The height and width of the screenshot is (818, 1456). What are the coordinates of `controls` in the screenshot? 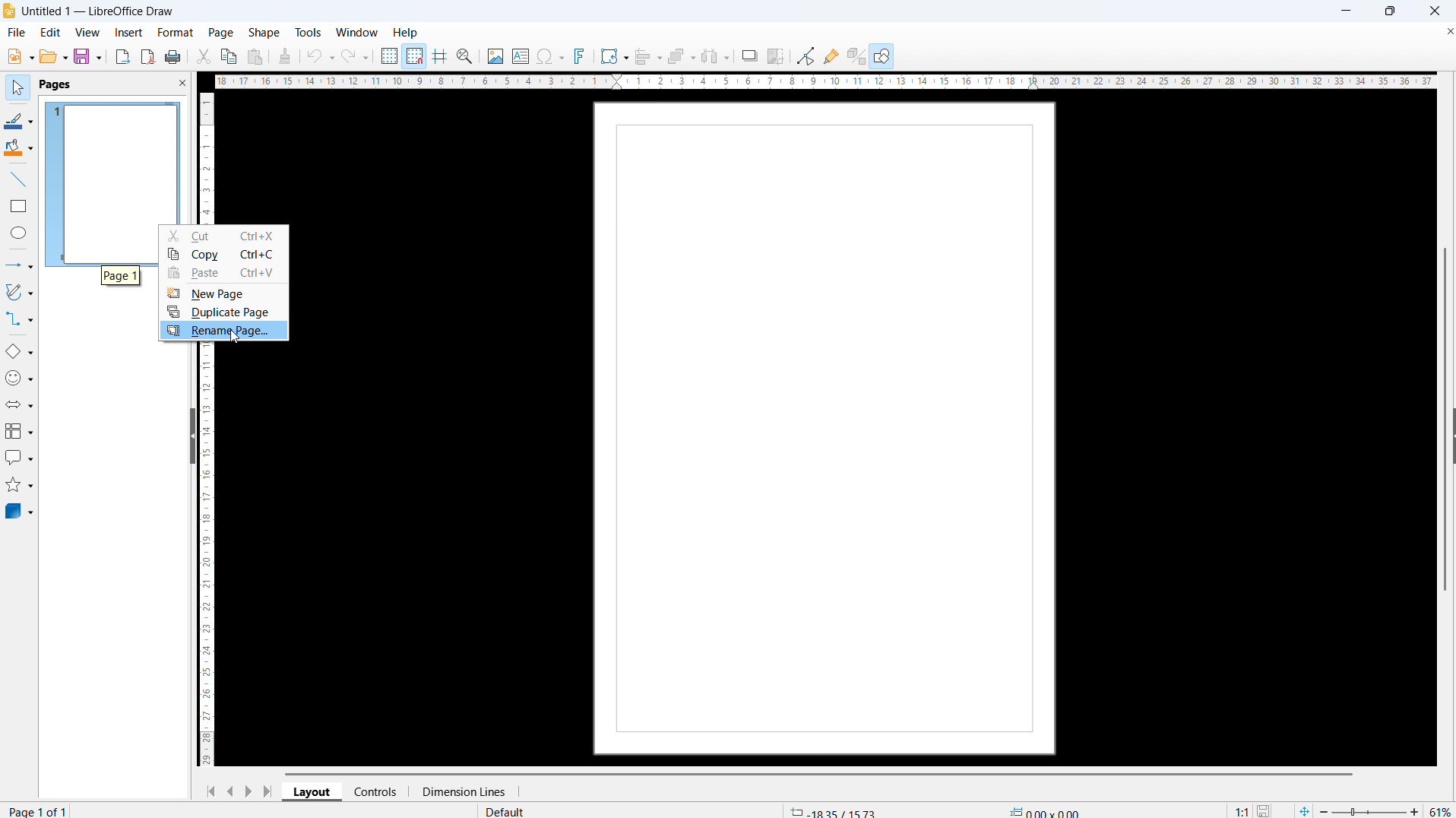 It's located at (376, 791).